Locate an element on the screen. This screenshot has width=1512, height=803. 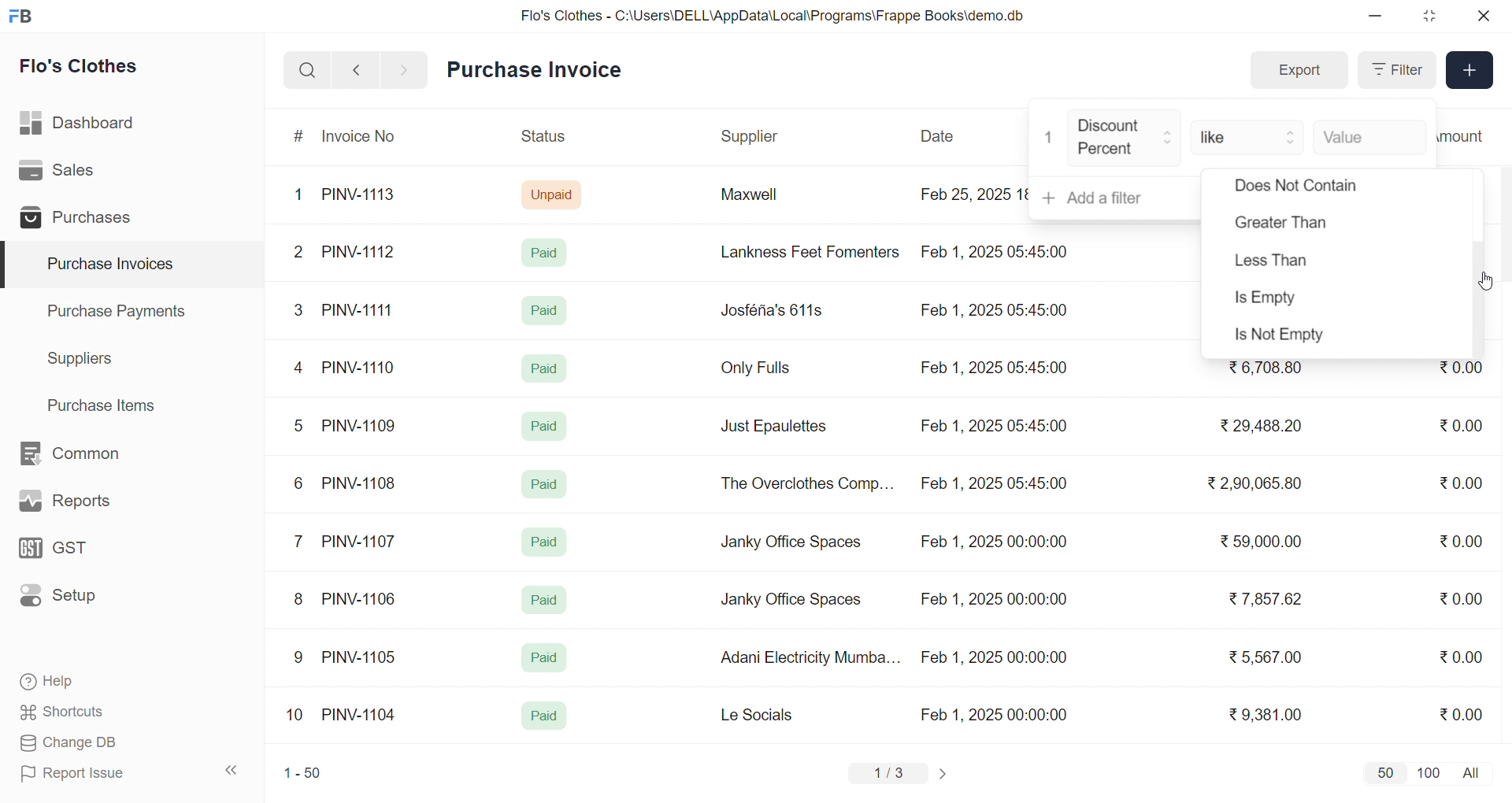
Invoice No is located at coordinates (365, 137).